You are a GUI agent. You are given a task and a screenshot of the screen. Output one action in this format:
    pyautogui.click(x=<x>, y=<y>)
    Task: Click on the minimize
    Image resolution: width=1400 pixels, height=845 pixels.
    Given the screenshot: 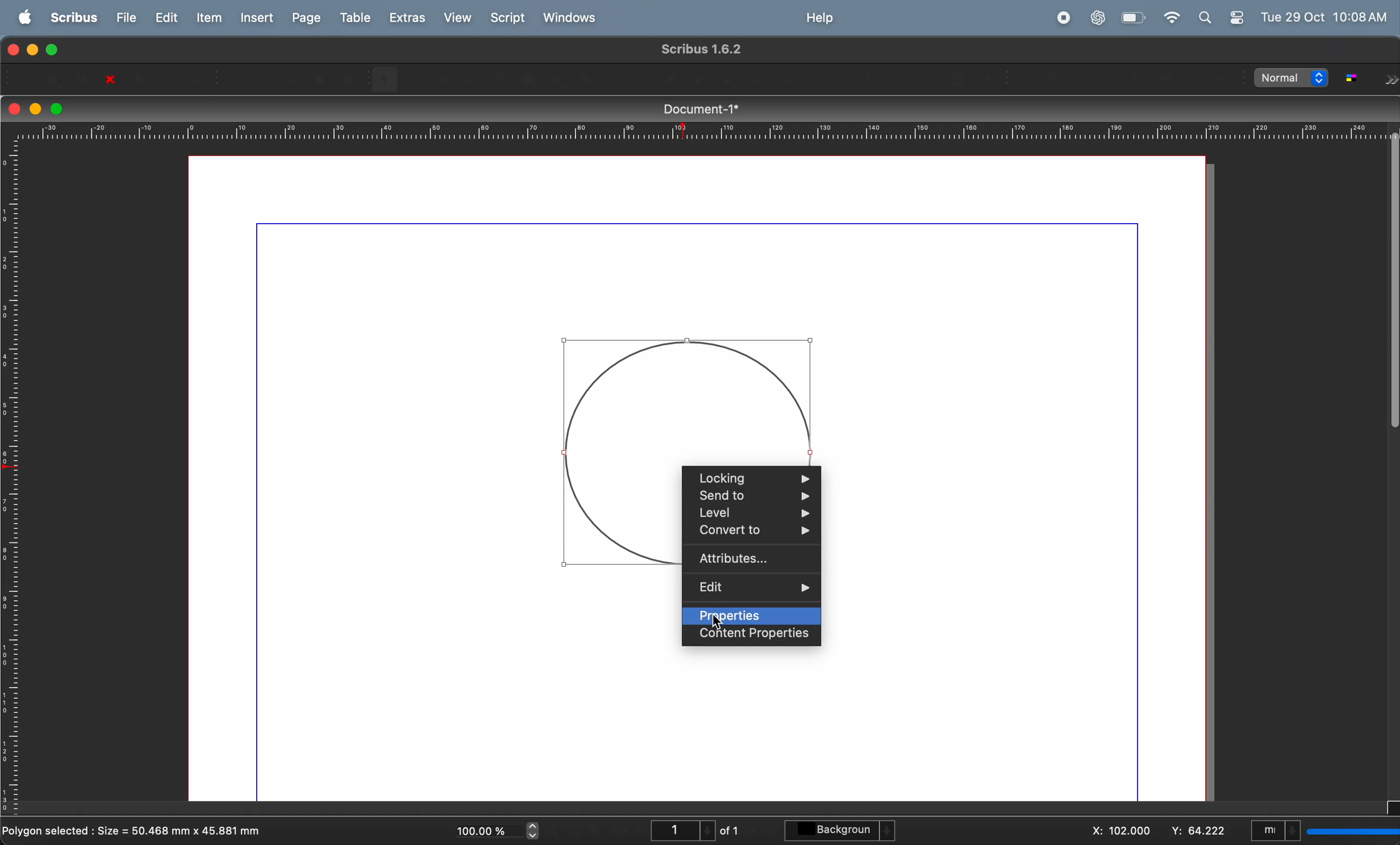 What is the action you would take?
    pyautogui.click(x=36, y=109)
    